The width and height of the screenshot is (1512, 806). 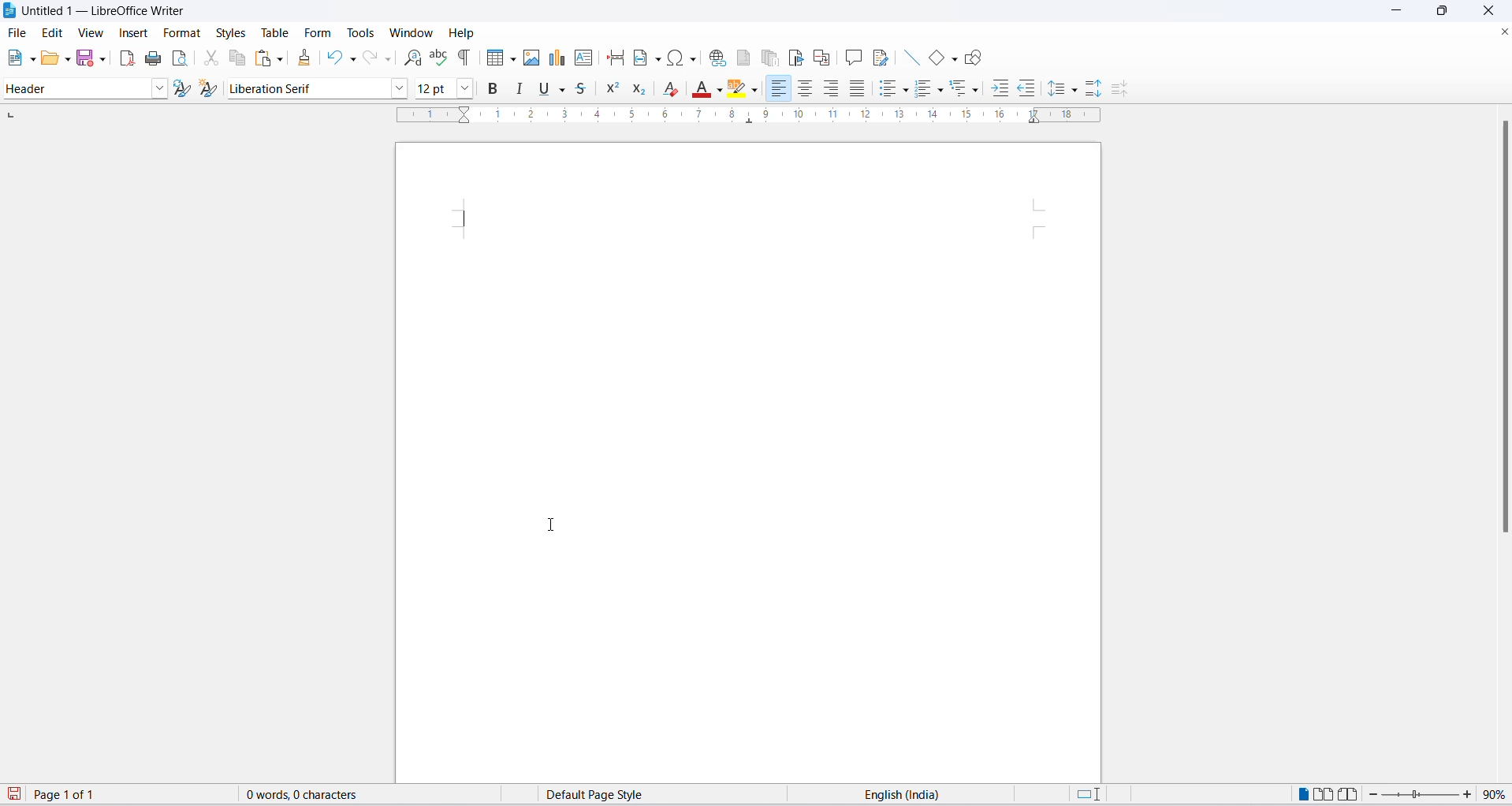 I want to click on increase indent, so click(x=1000, y=90).